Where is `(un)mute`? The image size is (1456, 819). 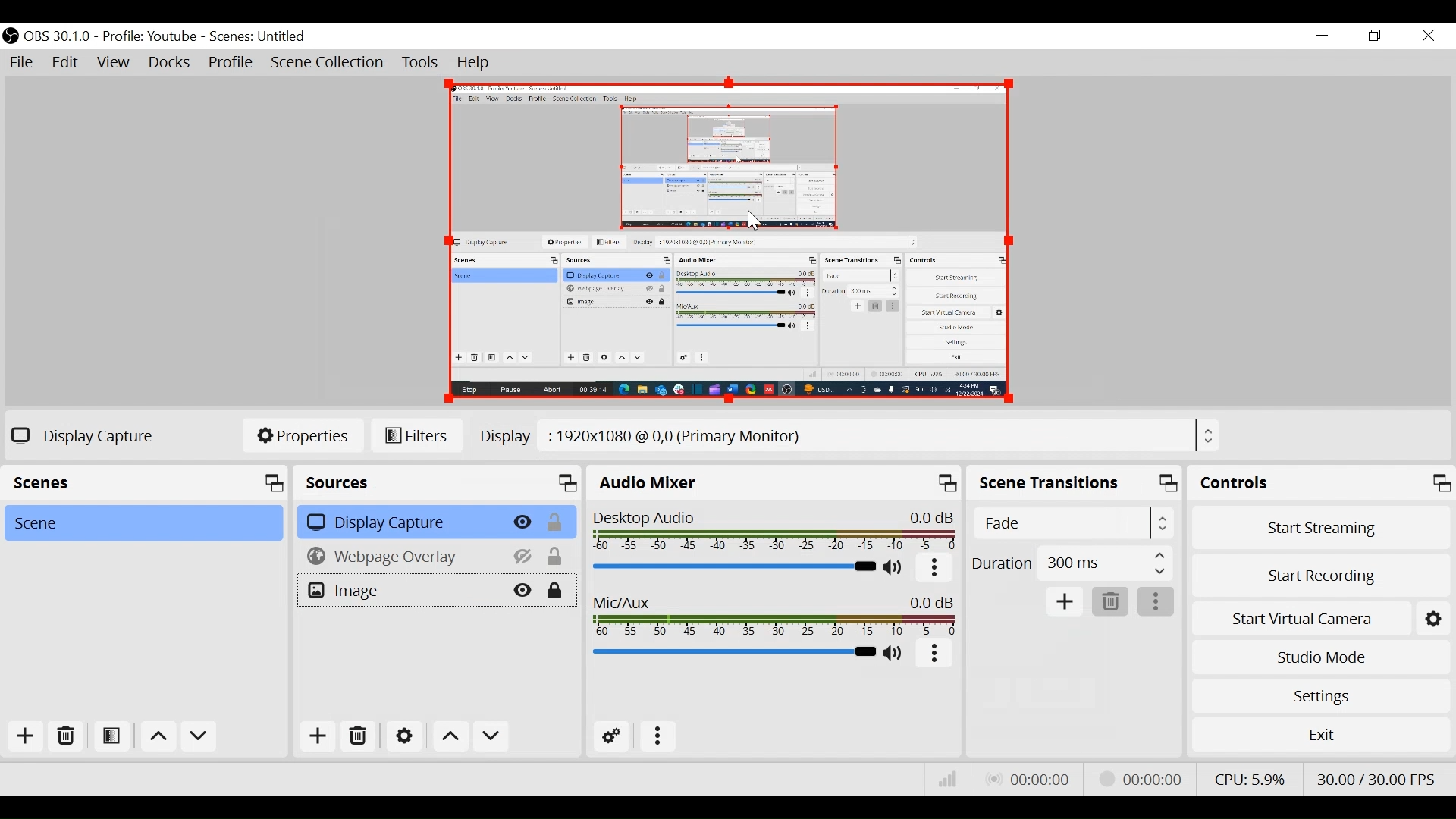
(un)mute is located at coordinates (895, 654).